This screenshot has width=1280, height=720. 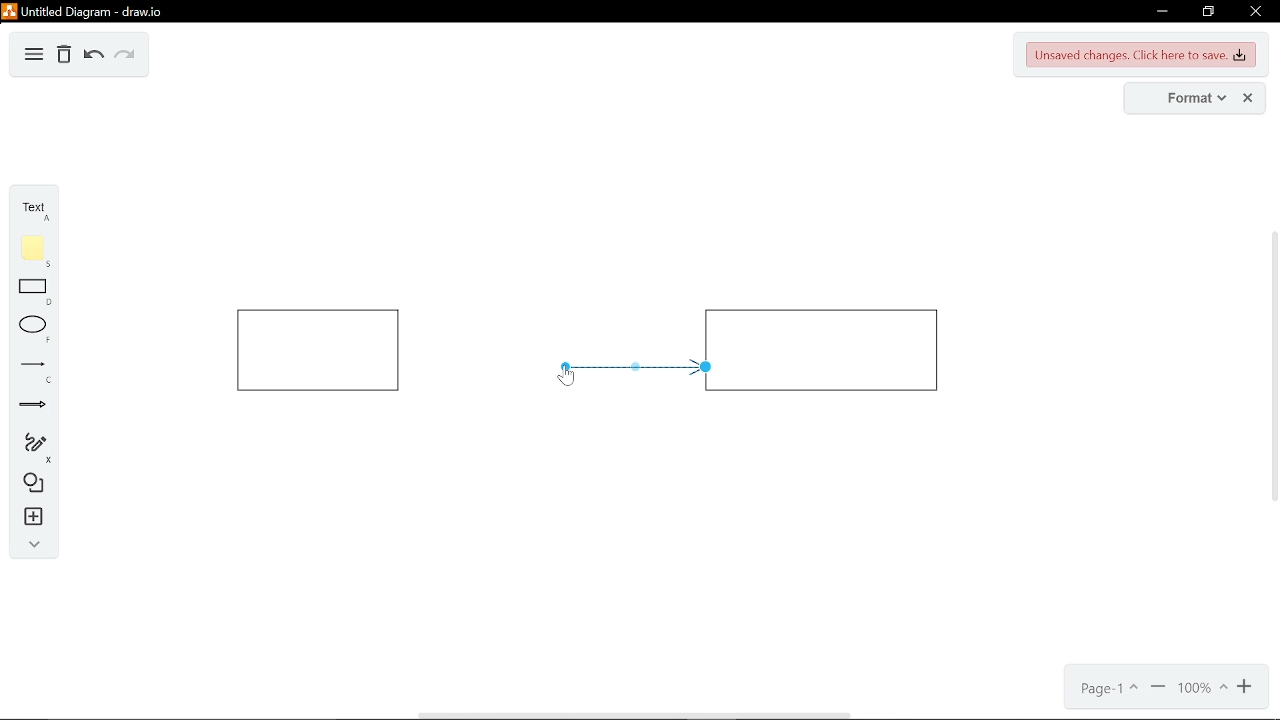 What do you see at coordinates (317, 351) in the screenshot?
I see `rectangle 1` at bounding box center [317, 351].